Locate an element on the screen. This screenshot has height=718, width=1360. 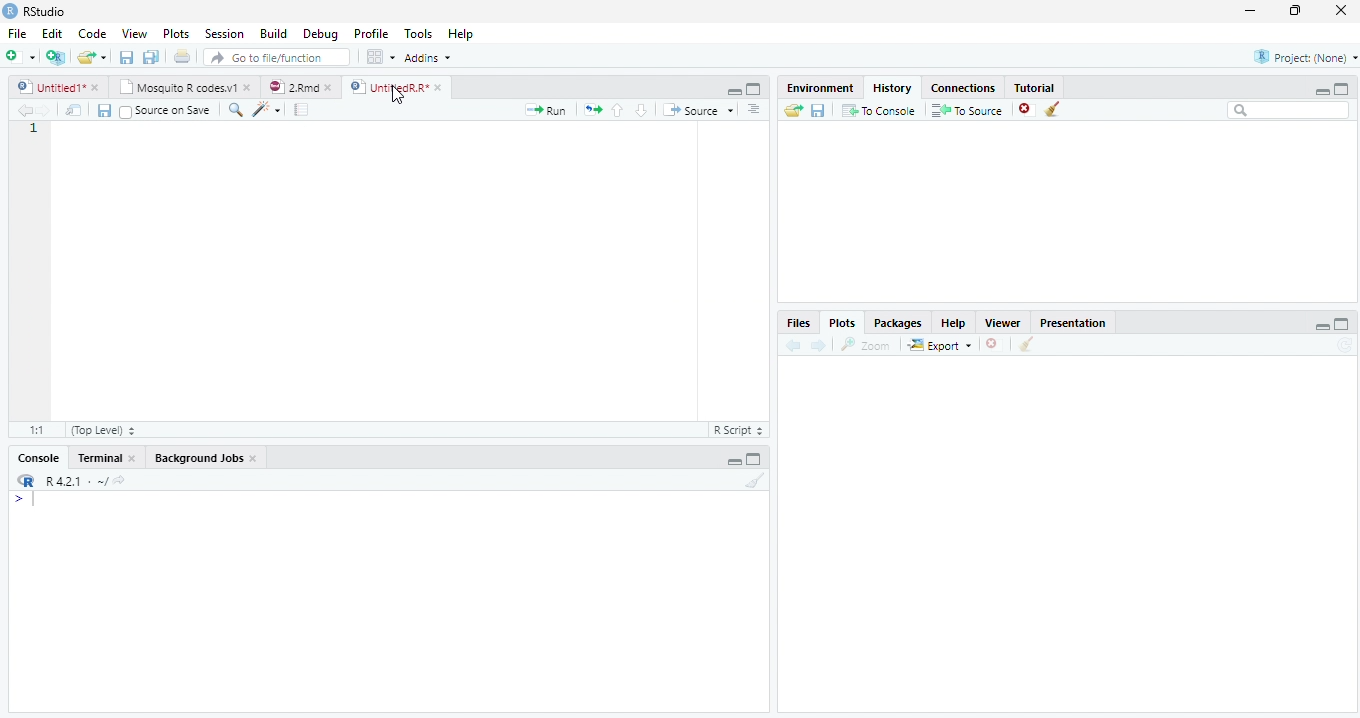
Print is located at coordinates (182, 58).